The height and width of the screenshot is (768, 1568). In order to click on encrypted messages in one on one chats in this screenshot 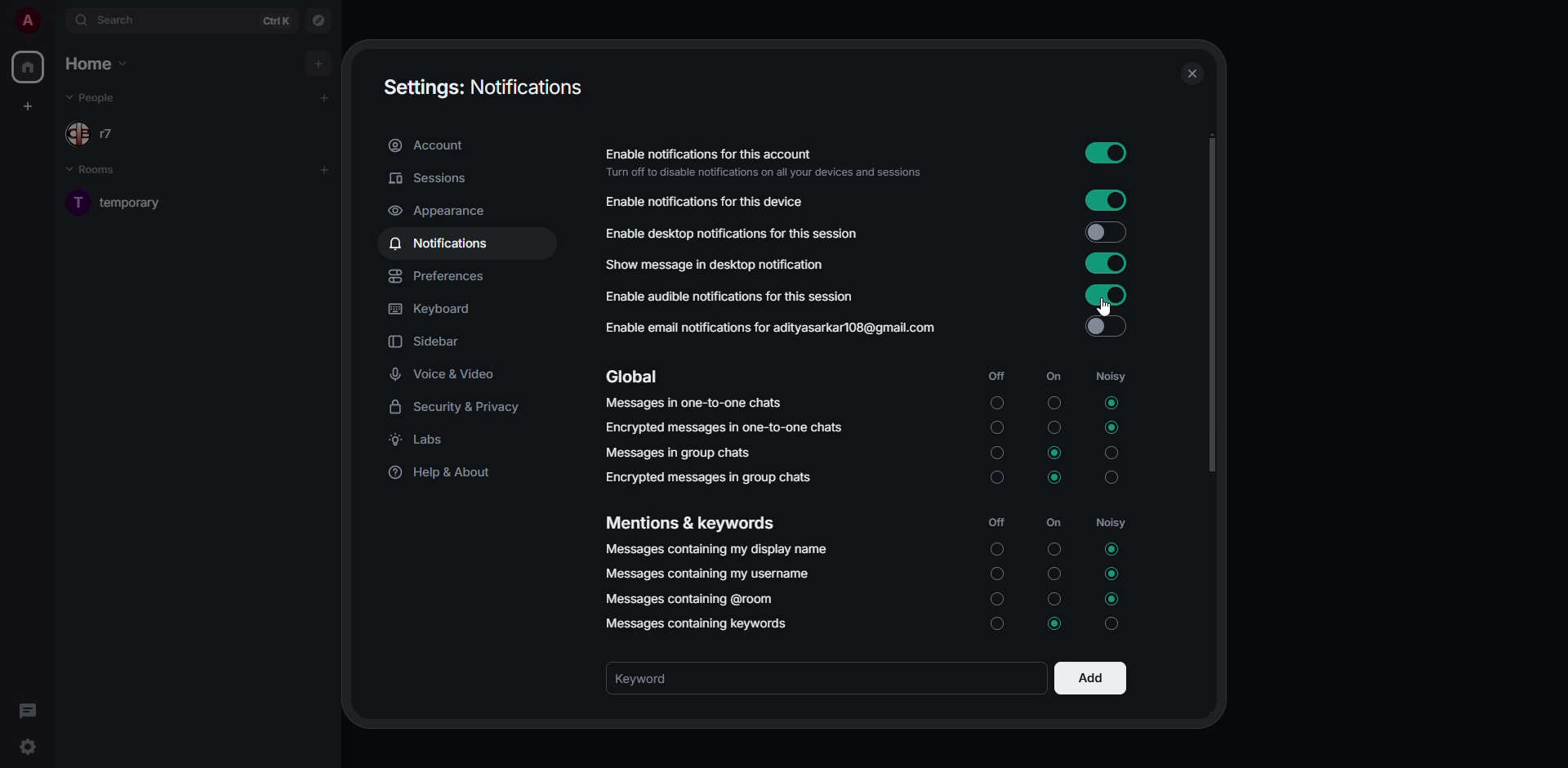, I will do `click(725, 428)`.